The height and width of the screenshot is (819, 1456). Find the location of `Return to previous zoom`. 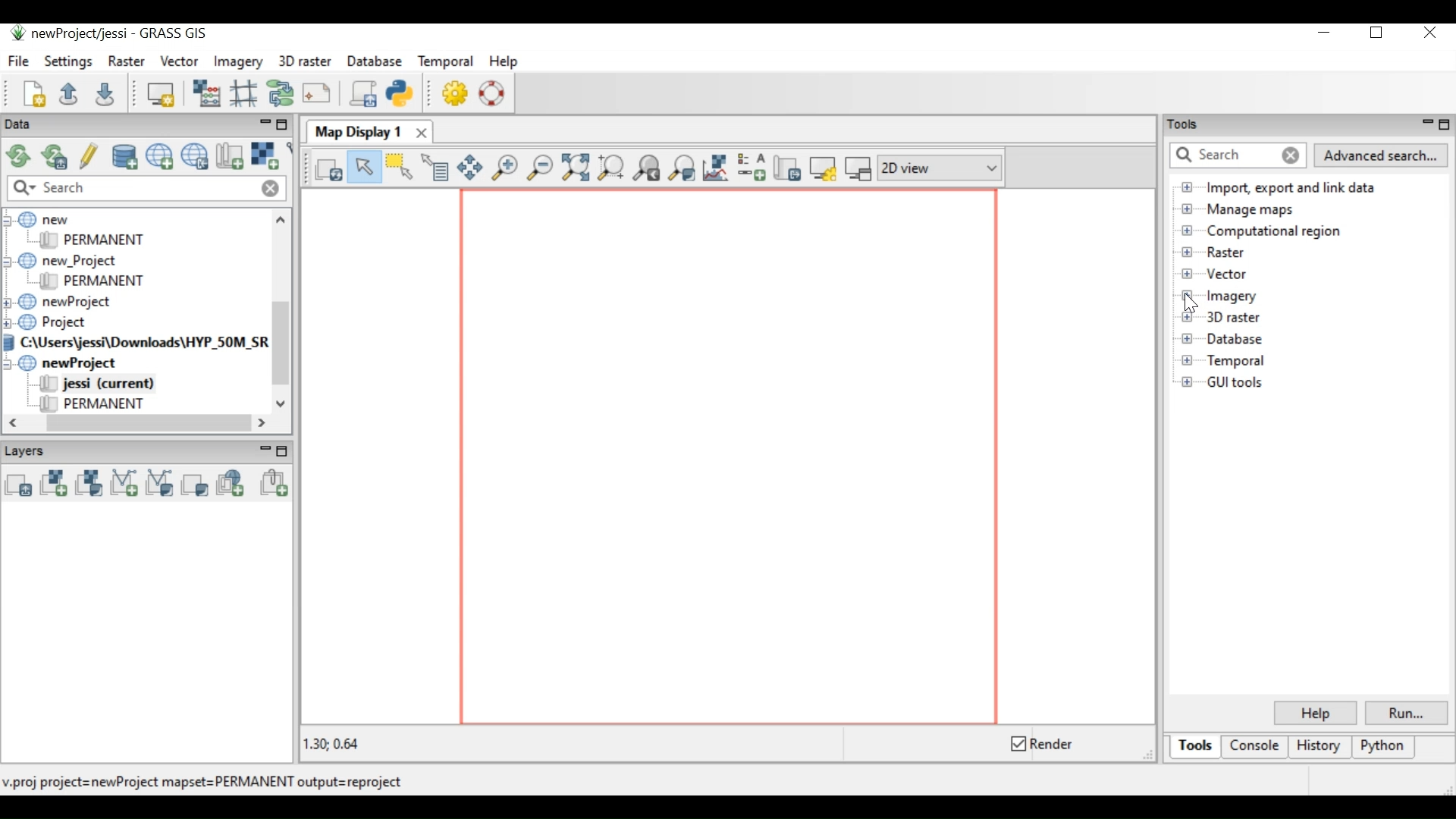

Return to previous zoom is located at coordinates (647, 168).